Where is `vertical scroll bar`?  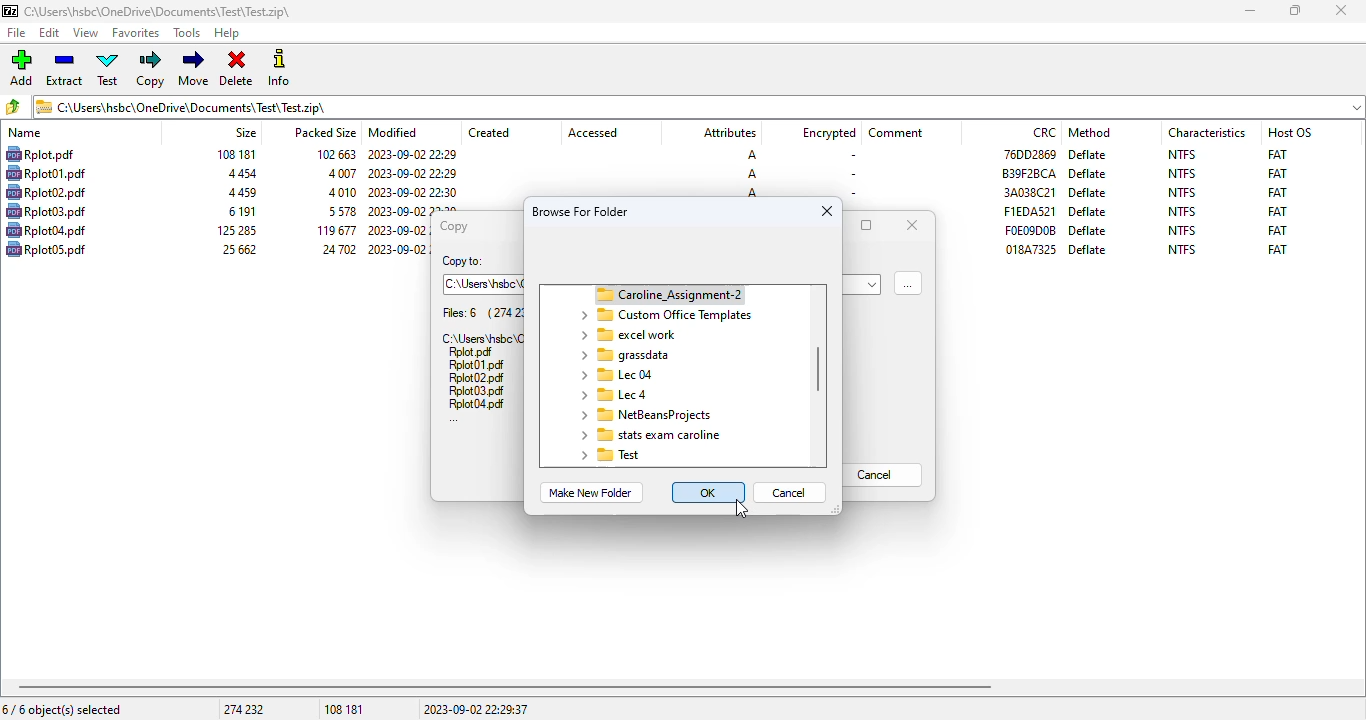
vertical scroll bar is located at coordinates (819, 369).